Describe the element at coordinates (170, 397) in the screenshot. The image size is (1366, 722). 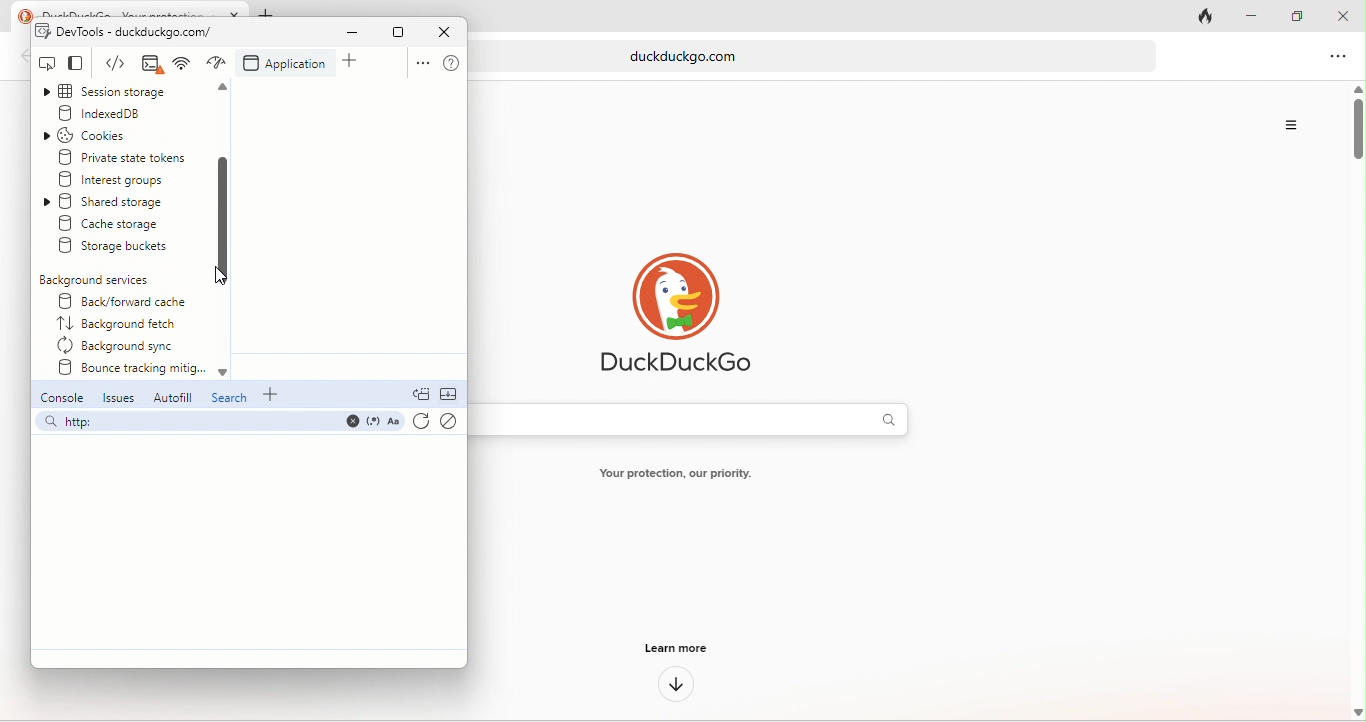
I see `autofill` at that location.